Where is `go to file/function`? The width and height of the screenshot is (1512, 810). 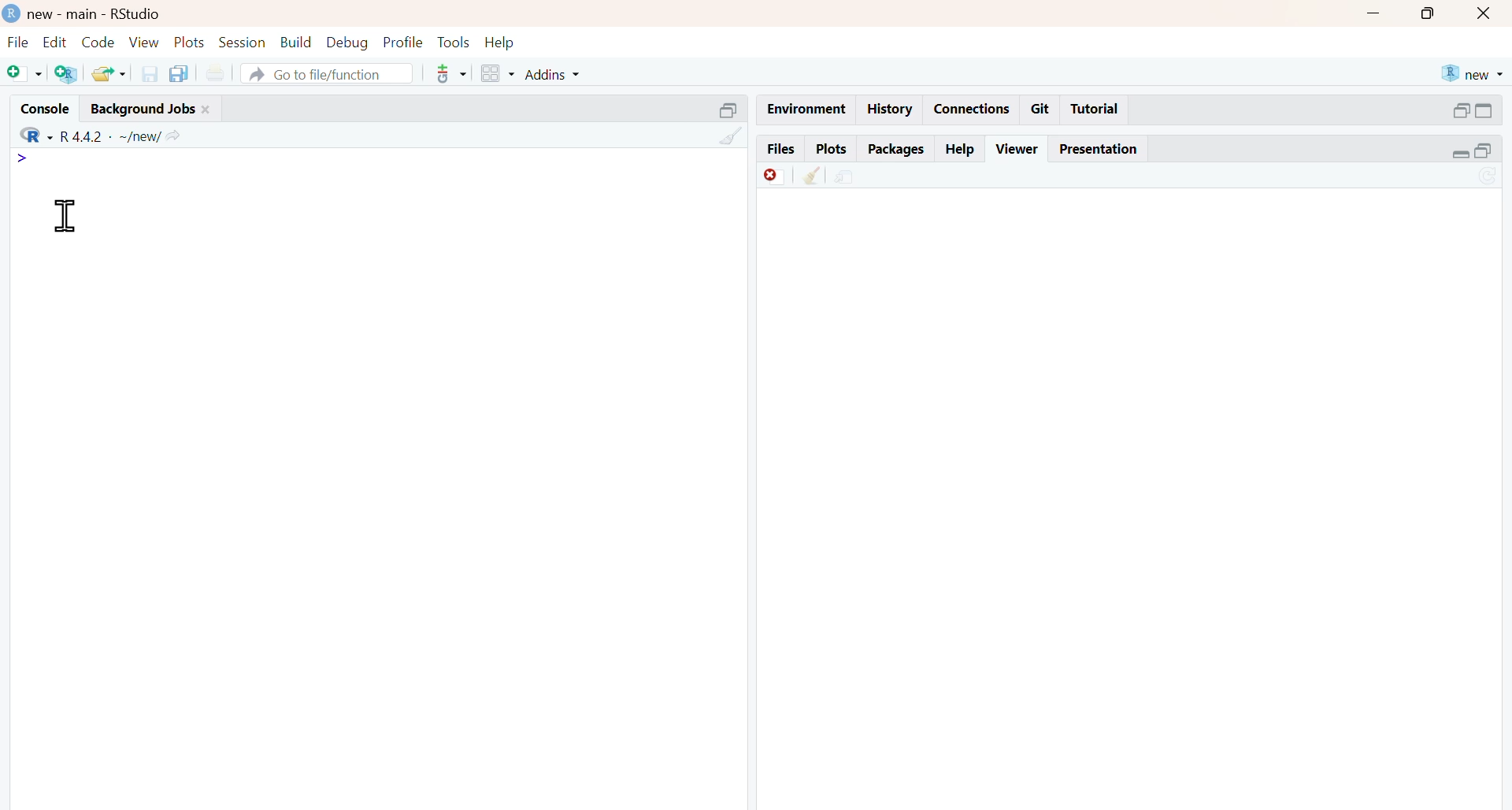
go to file/function is located at coordinates (326, 74).